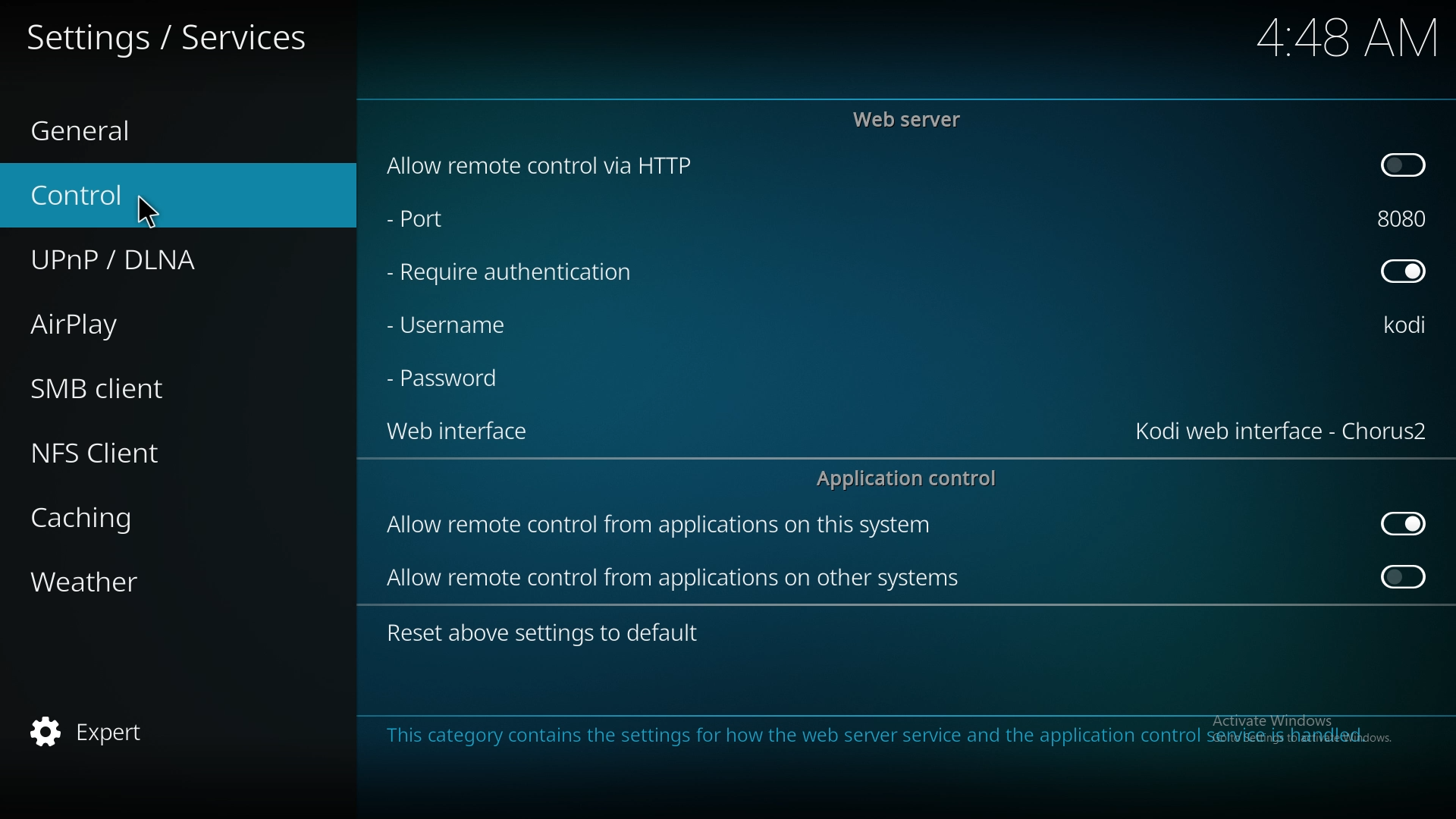  What do you see at coordinates (1410, 325) in the screenshot?
I see `kodi` at bounding box center [1410, 325].